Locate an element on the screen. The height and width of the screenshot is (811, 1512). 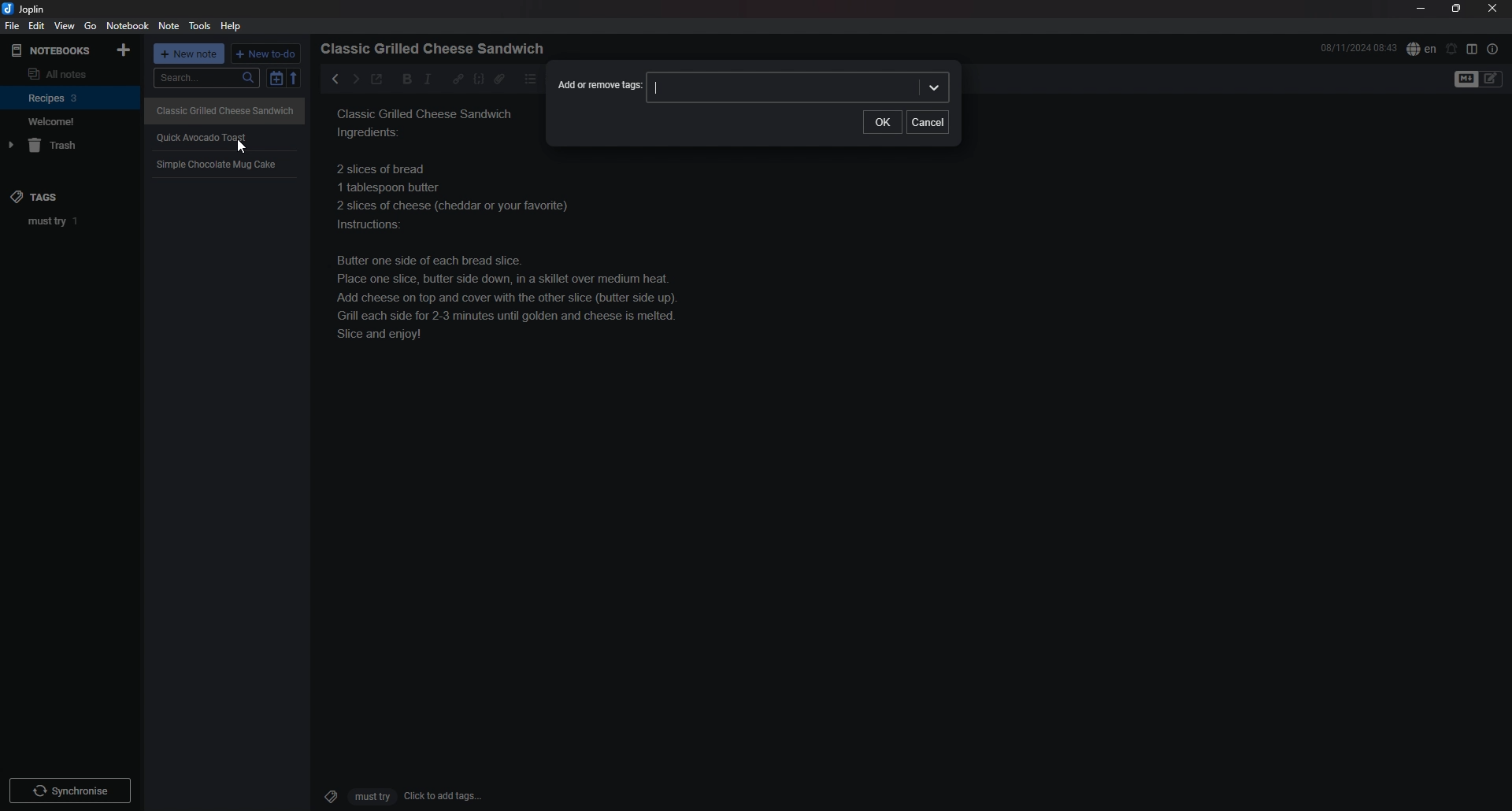
time is located at coordinates (1358, 47).